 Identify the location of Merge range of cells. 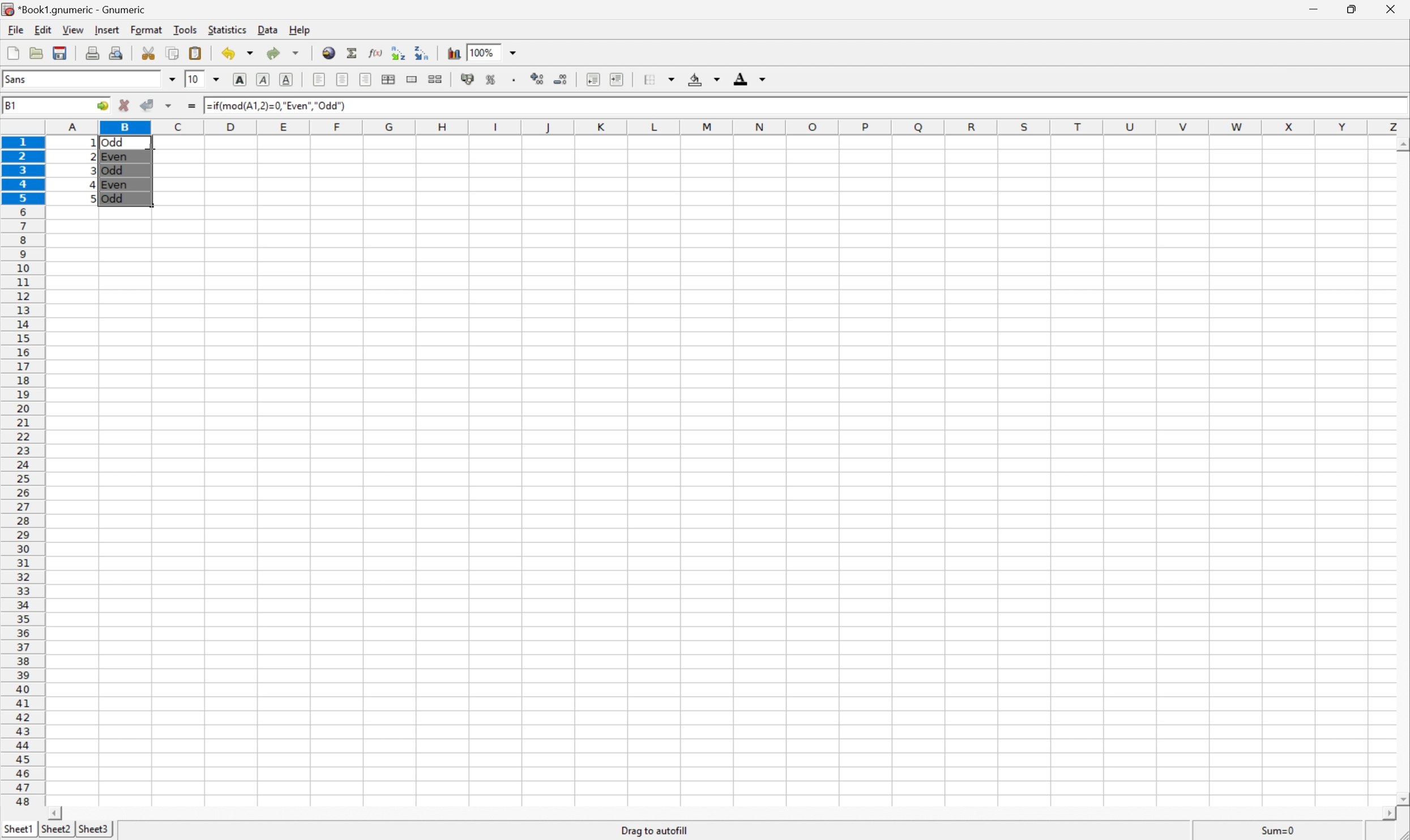
(412, 79).